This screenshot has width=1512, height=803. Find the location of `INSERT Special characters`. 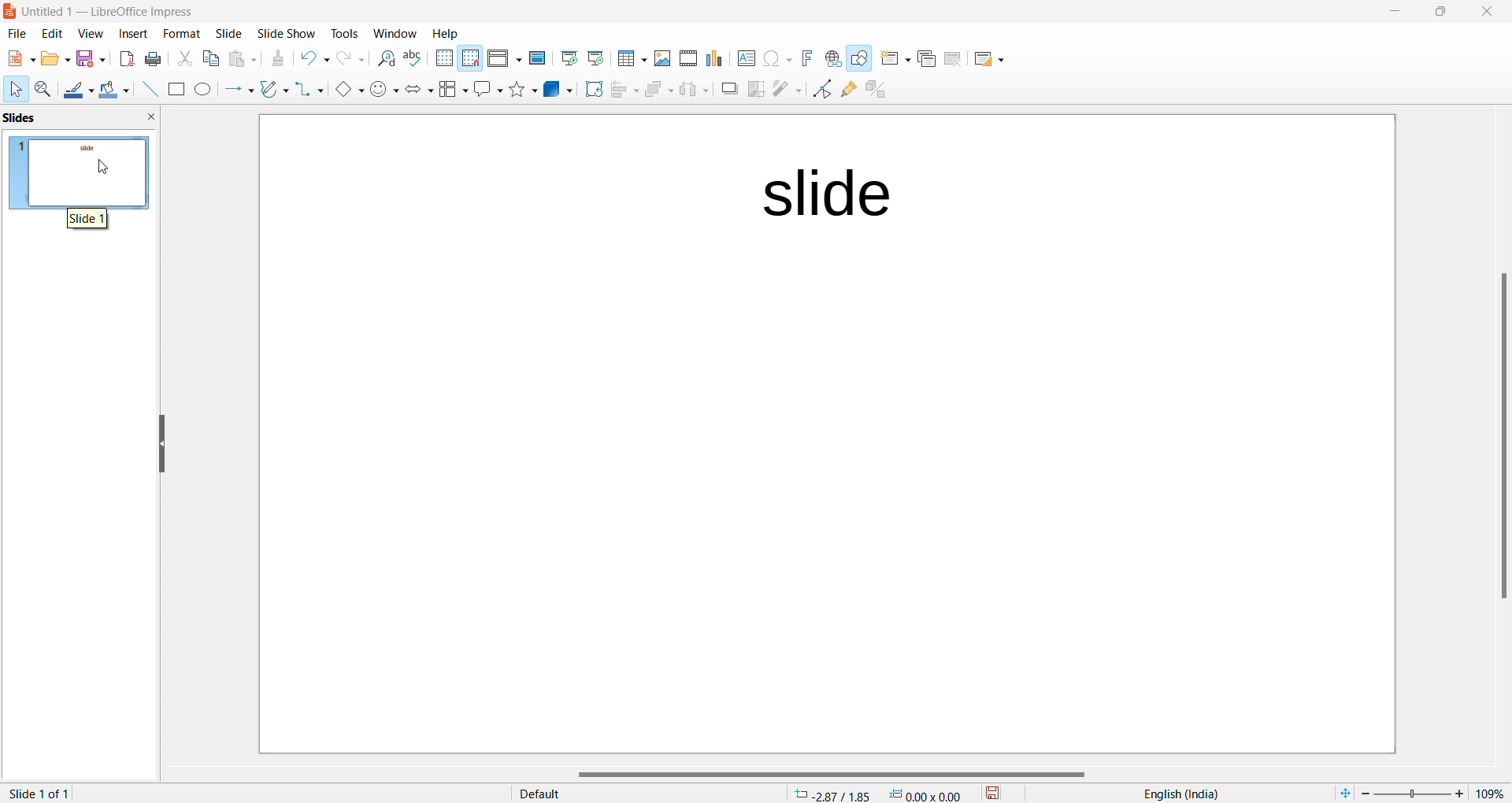

INSERT Special characters is located at coordinates (774, 58).